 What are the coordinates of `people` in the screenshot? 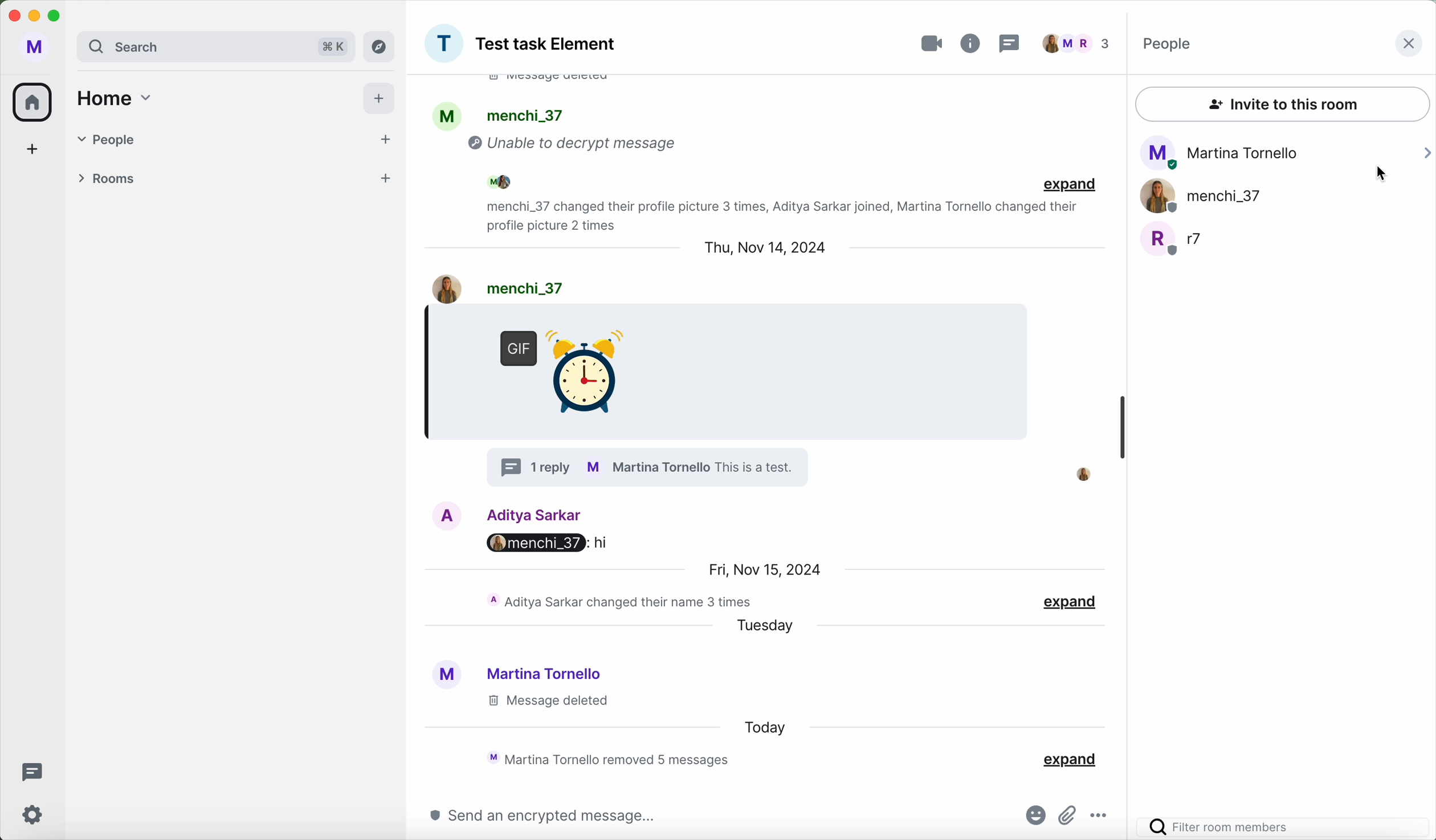 It's located at (1078, 43).